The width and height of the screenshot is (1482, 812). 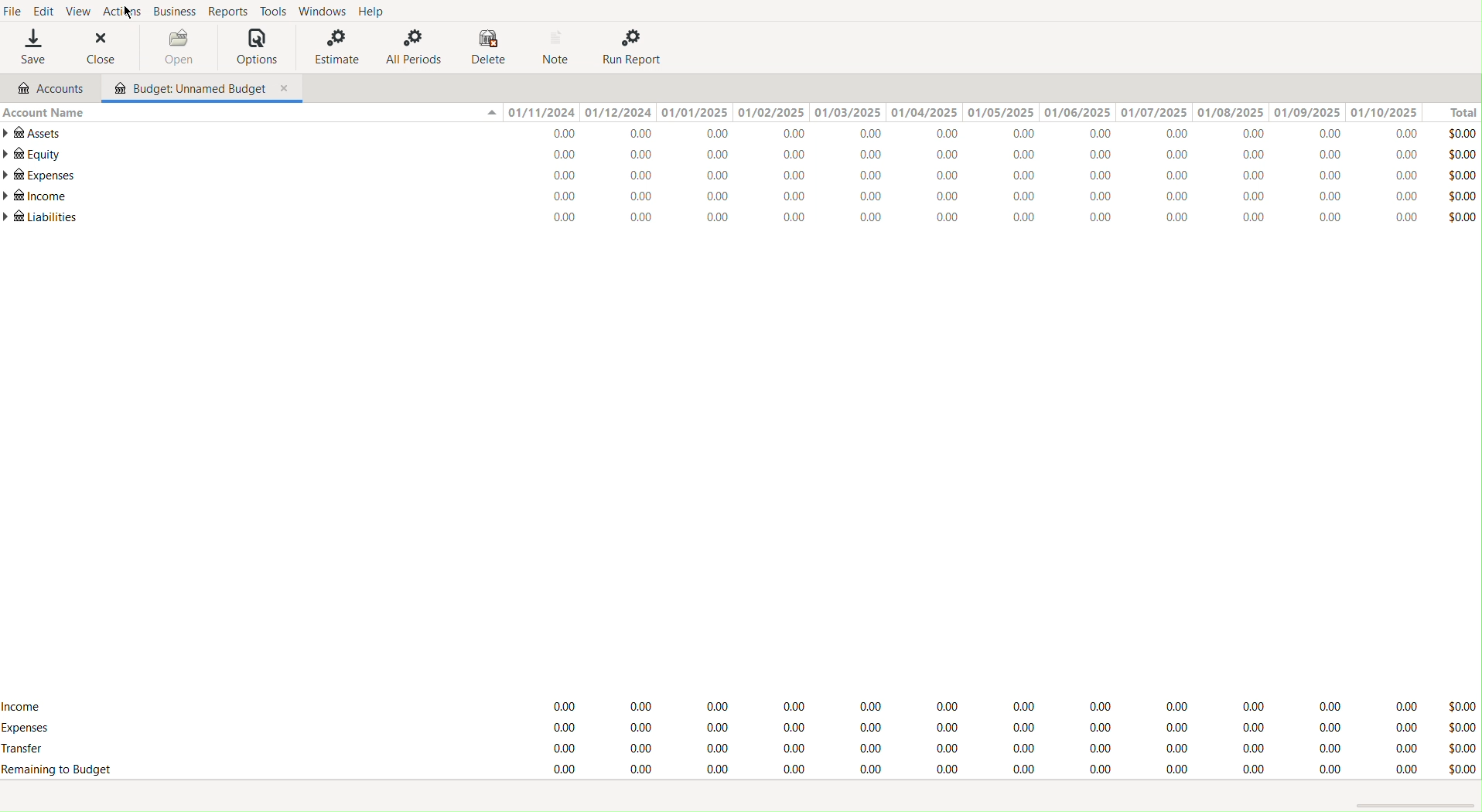 What do you see at coordinates (32, 750) in the screenshot?
I see `Transfer` at bounding box center [32, 750].